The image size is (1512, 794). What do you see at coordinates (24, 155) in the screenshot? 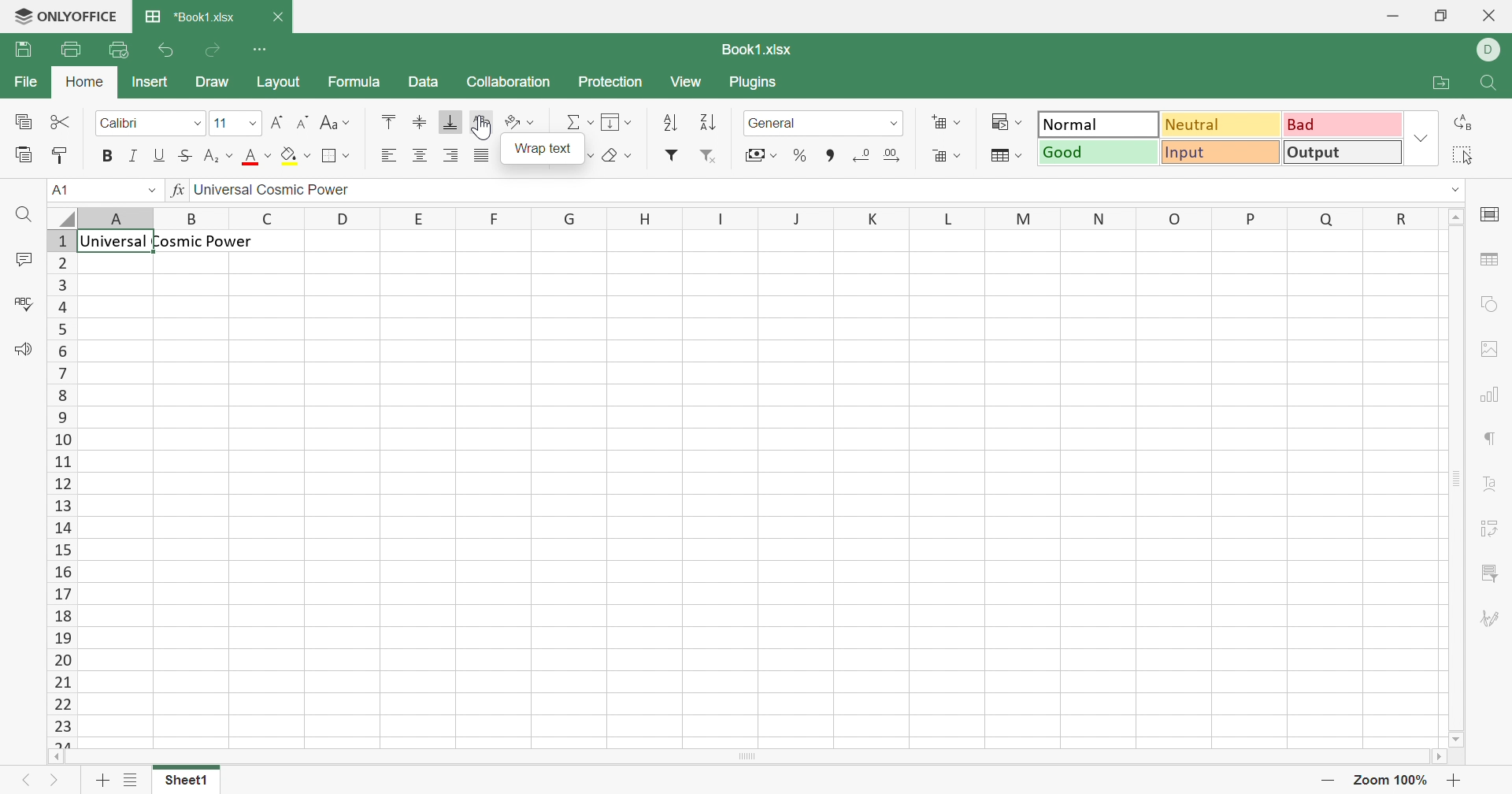
I see `Copy Style` at bounding box center [24, 155].